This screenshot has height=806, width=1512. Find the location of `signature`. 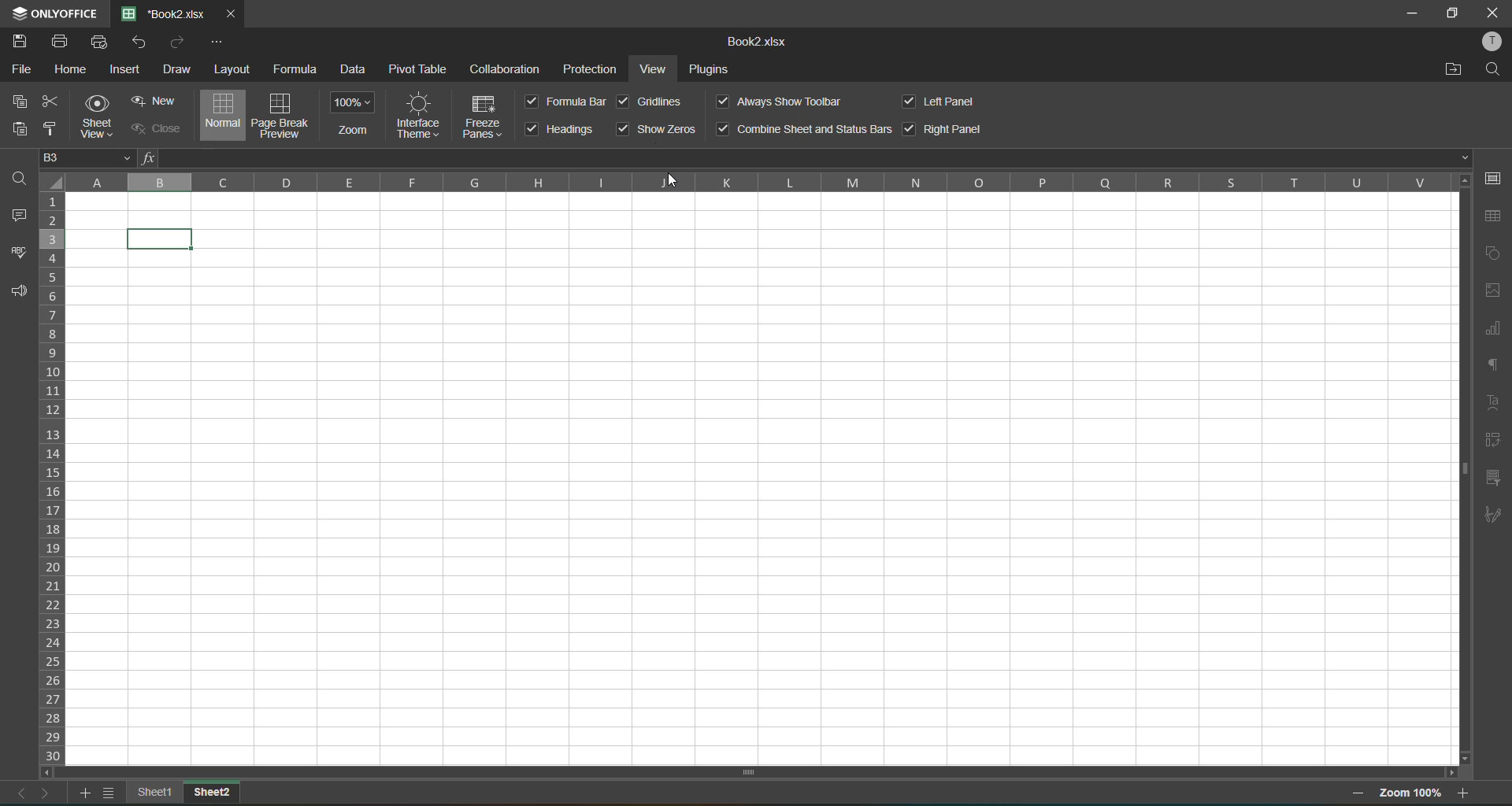

signature is located at coordinates (1494, 516).